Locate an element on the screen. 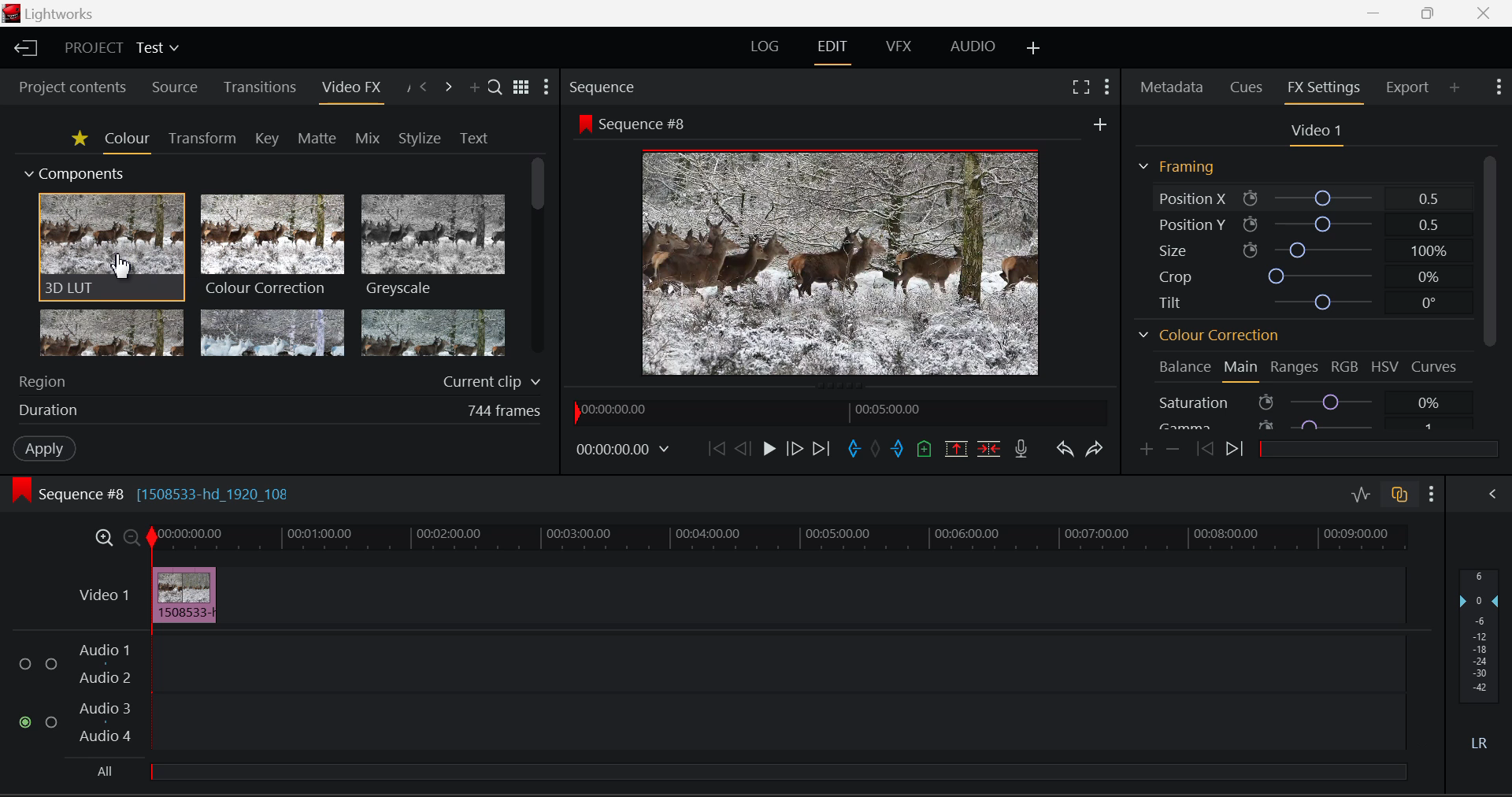 The height and width of the screenshot is (797, 1512). Ranges is located at coordinates (1294, 366).